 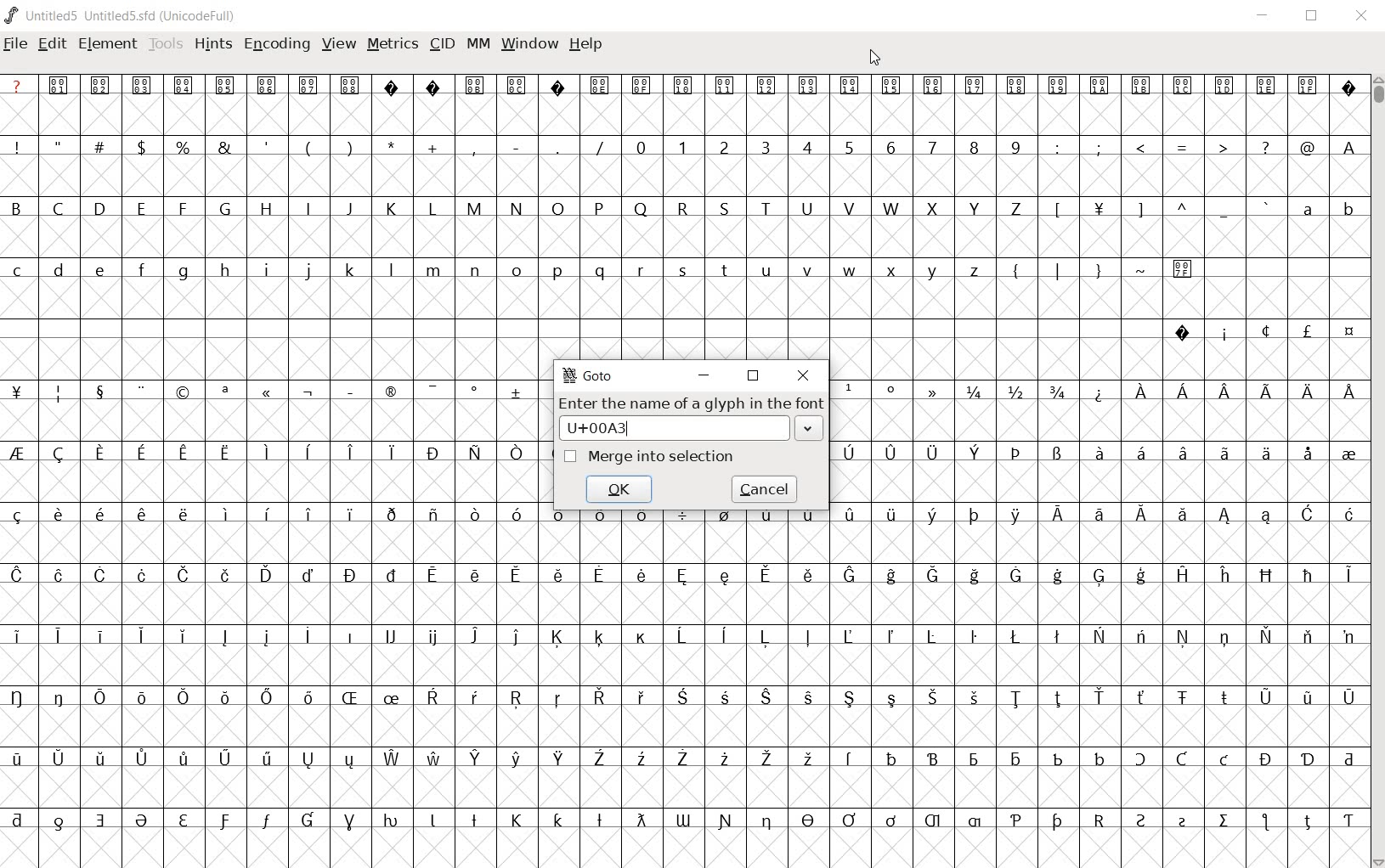 I want to click on Symbol, so click(x=21, y=454).